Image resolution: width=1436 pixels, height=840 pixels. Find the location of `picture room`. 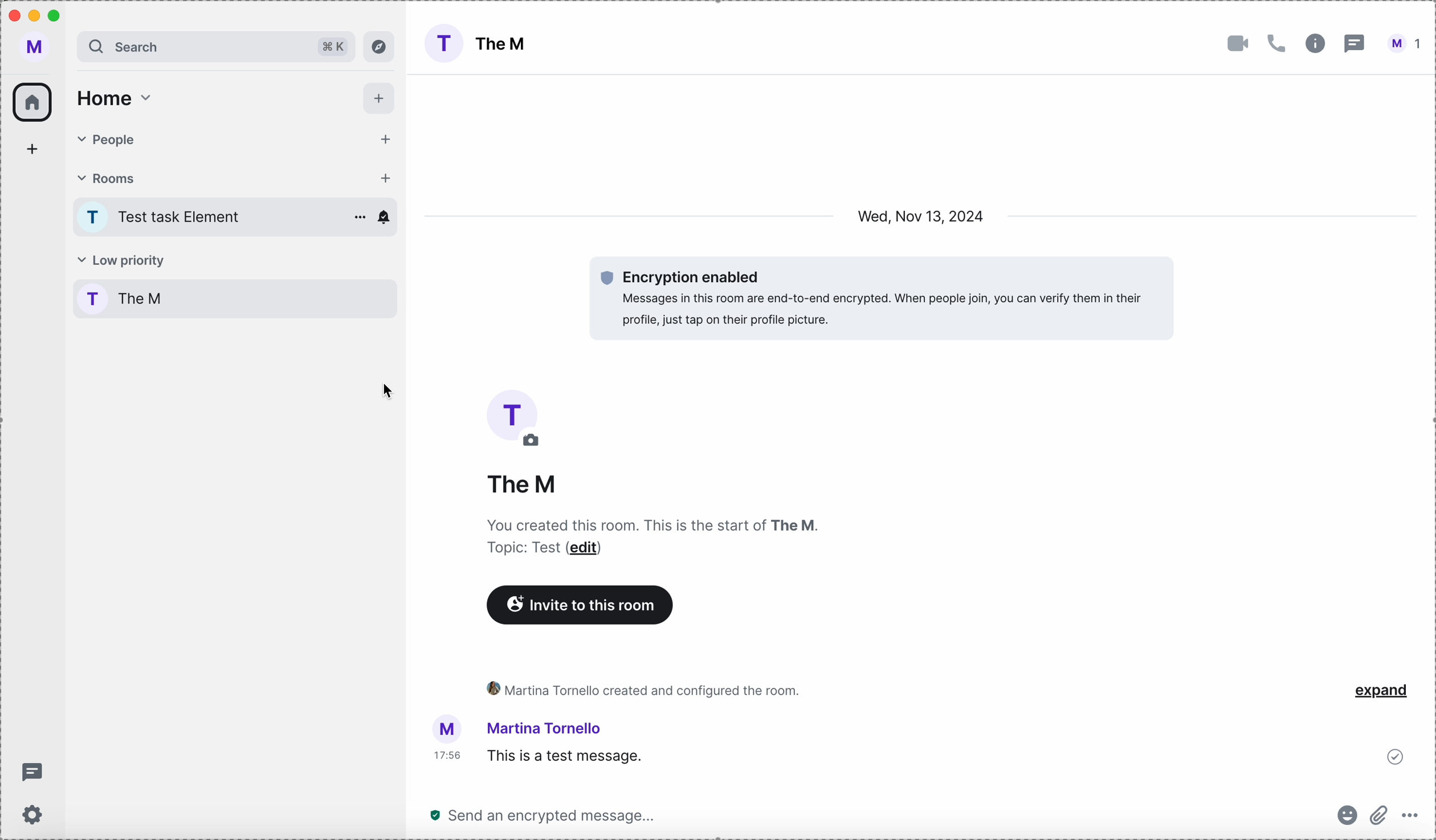

picture room is located at coordinates (513, 409).